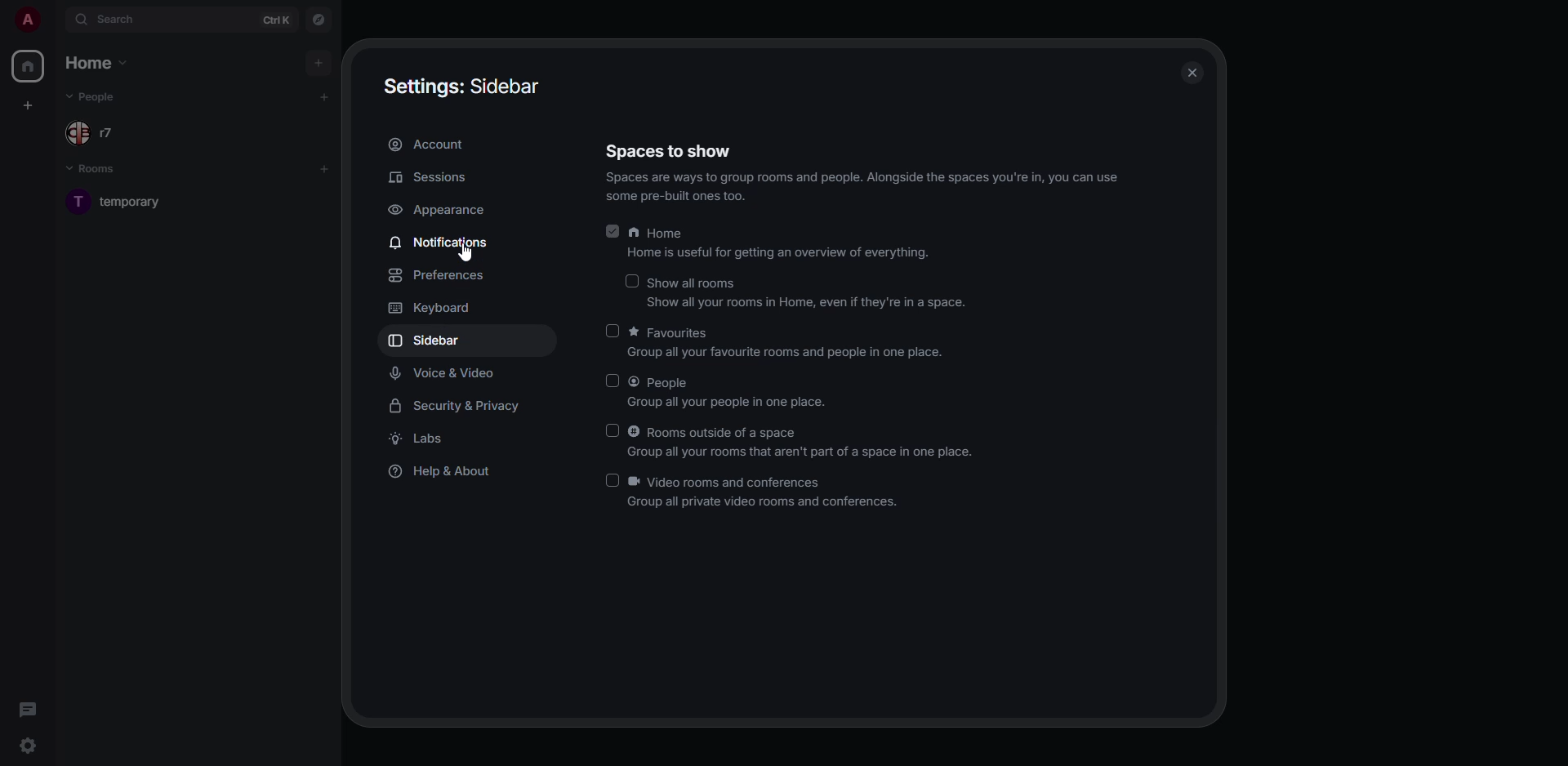  Describe the element at coordinates (457, 407) in the screenshot. I see `security & privacy` at that location.